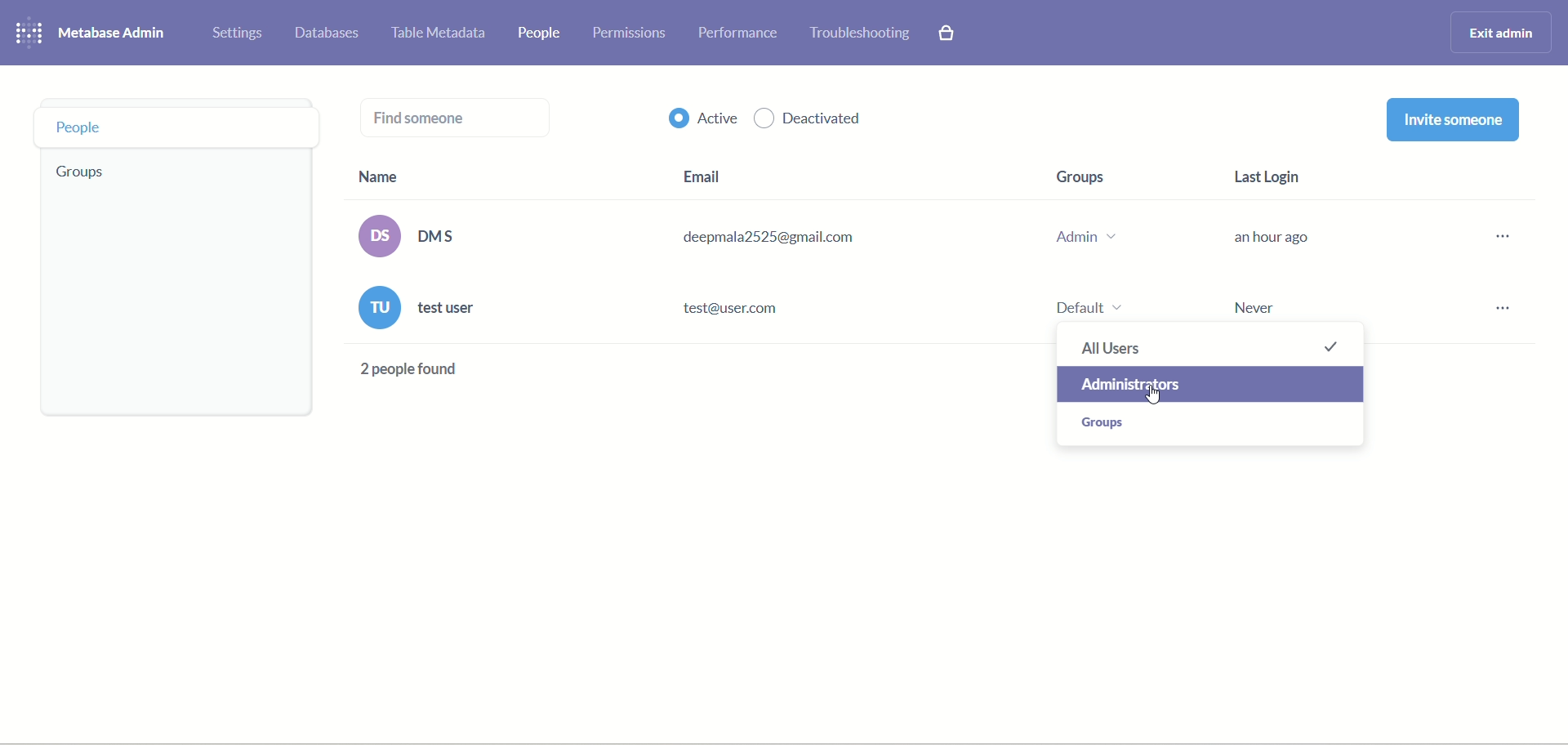  What do you see at coordinates (951, 33) in the screenshot?
I see `paid features` at bounding box center [951, 33].